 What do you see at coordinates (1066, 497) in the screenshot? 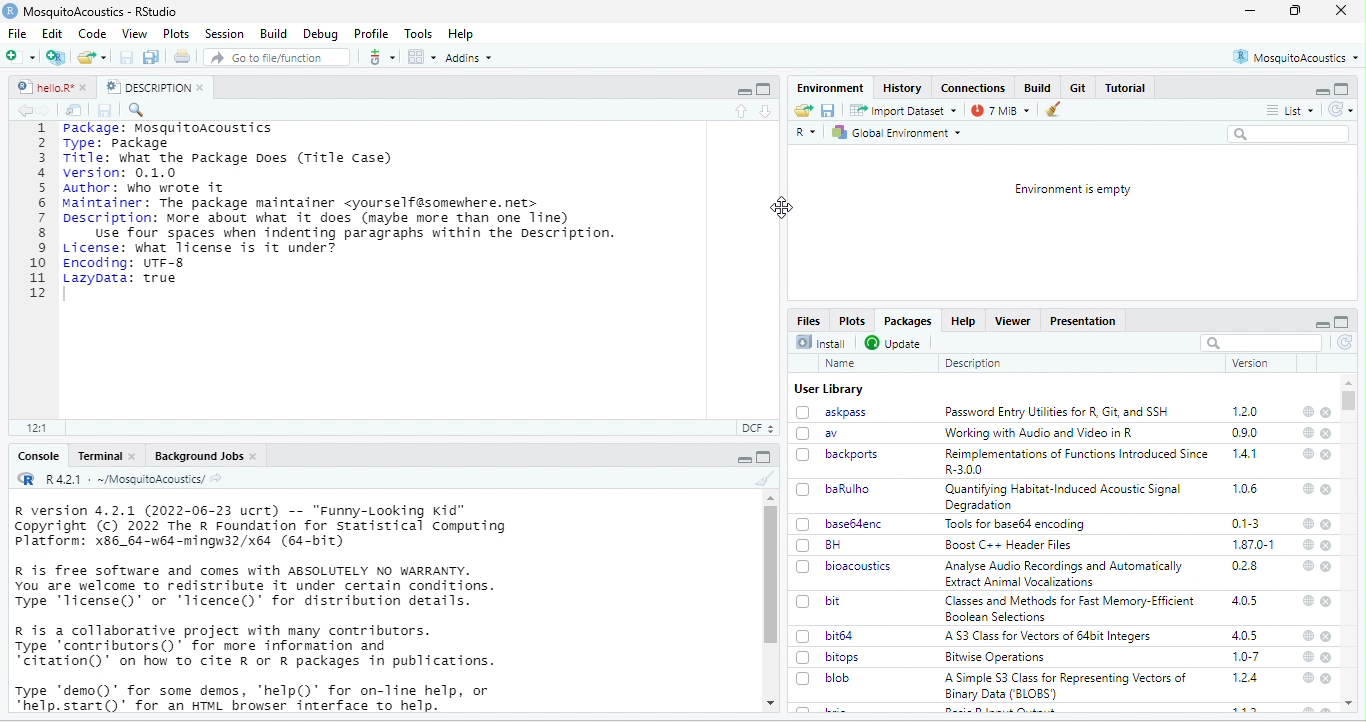
I see `‘Quantifying Habitat-Induced Acoustic Signal Degradation` at bounding box center [1066, 497].